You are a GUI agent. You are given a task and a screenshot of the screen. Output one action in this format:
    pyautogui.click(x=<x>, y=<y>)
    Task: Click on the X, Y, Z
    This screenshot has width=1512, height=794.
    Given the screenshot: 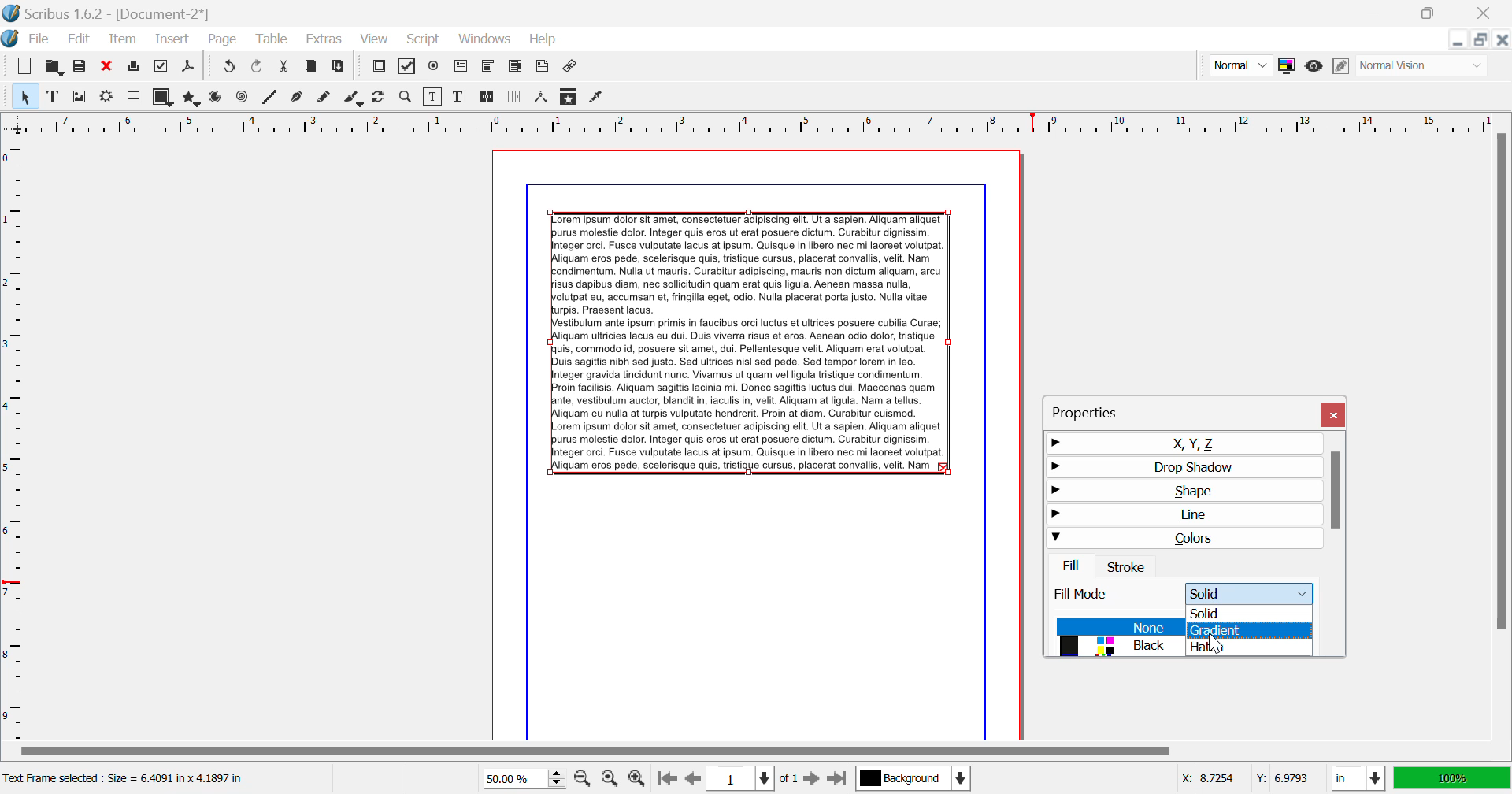 What is the action you would take?
    pyautogui.click(x=1183, y=443)
    